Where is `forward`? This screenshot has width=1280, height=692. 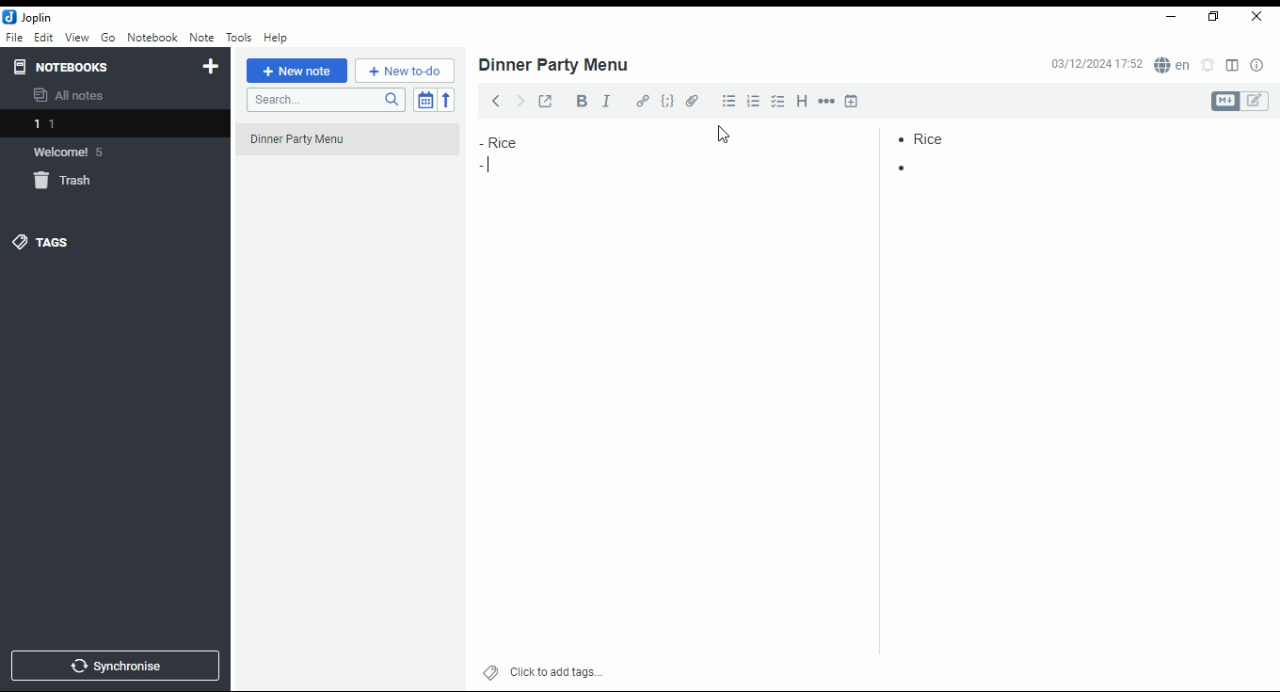
forward is located at coordinates (519, 98).